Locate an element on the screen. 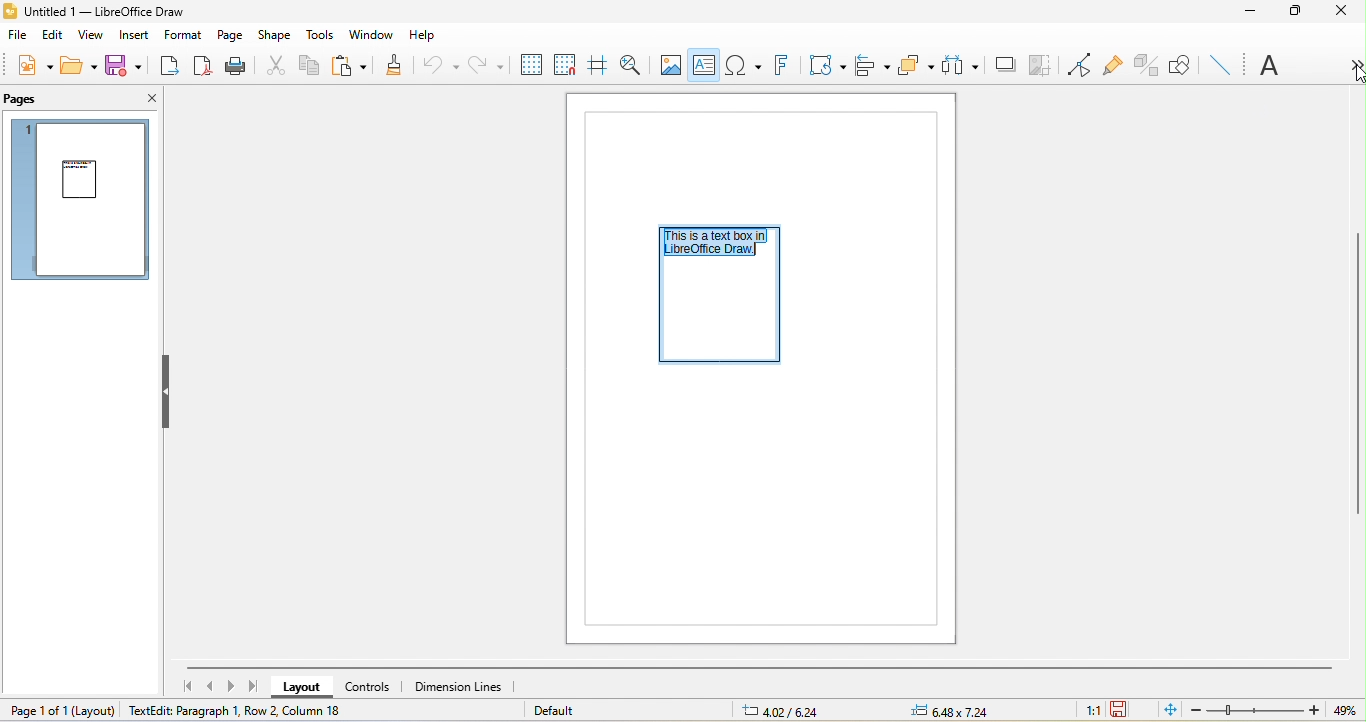  align object is located at coordinates (871, 67).